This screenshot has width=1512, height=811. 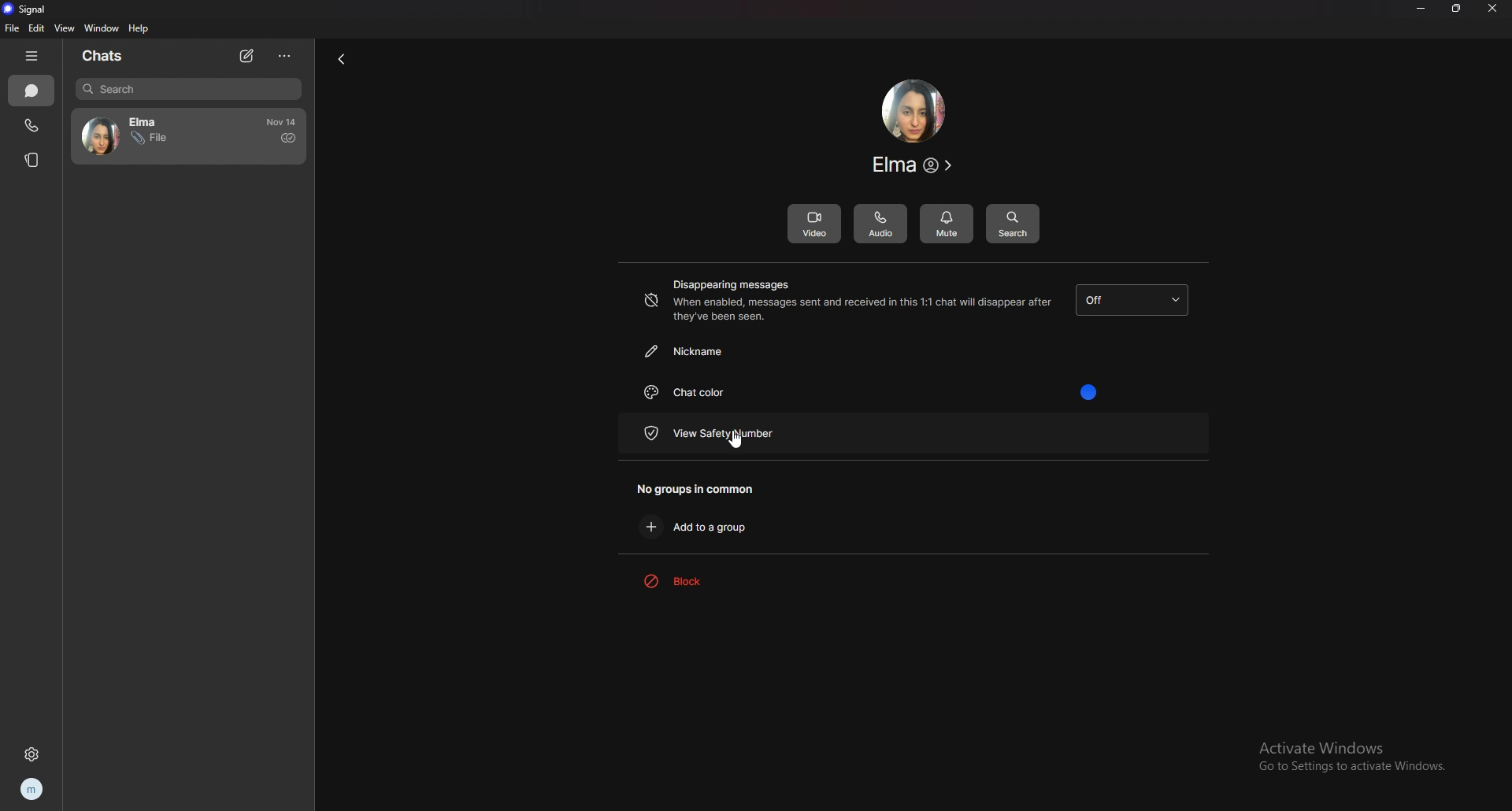 I want to click on mute, so click(x=947, y=224).